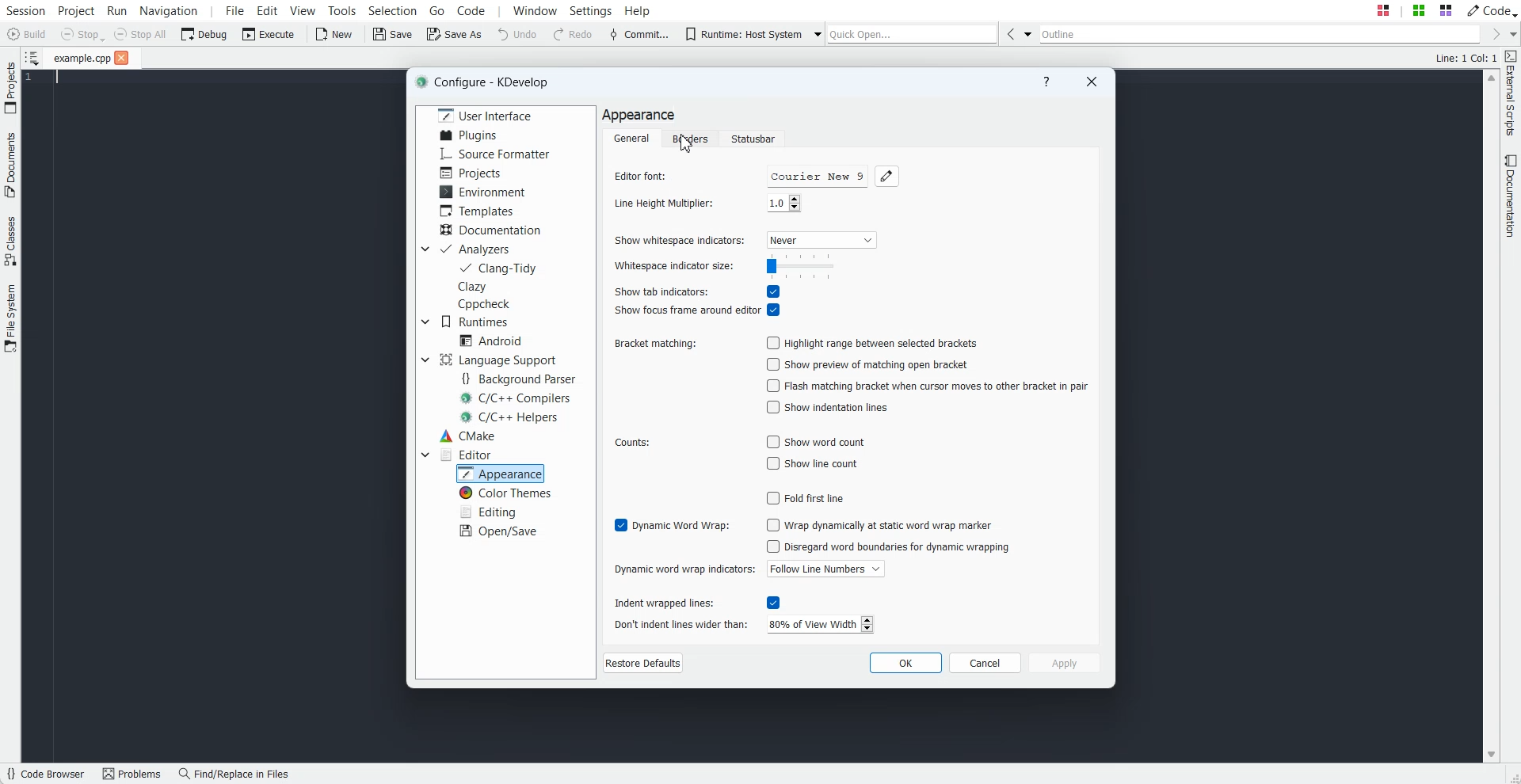 The image size is (1521, 784). Describe the element at coordinates (700, 293) in the screenshot. I see `Enable Show tab indicators ` at that location.